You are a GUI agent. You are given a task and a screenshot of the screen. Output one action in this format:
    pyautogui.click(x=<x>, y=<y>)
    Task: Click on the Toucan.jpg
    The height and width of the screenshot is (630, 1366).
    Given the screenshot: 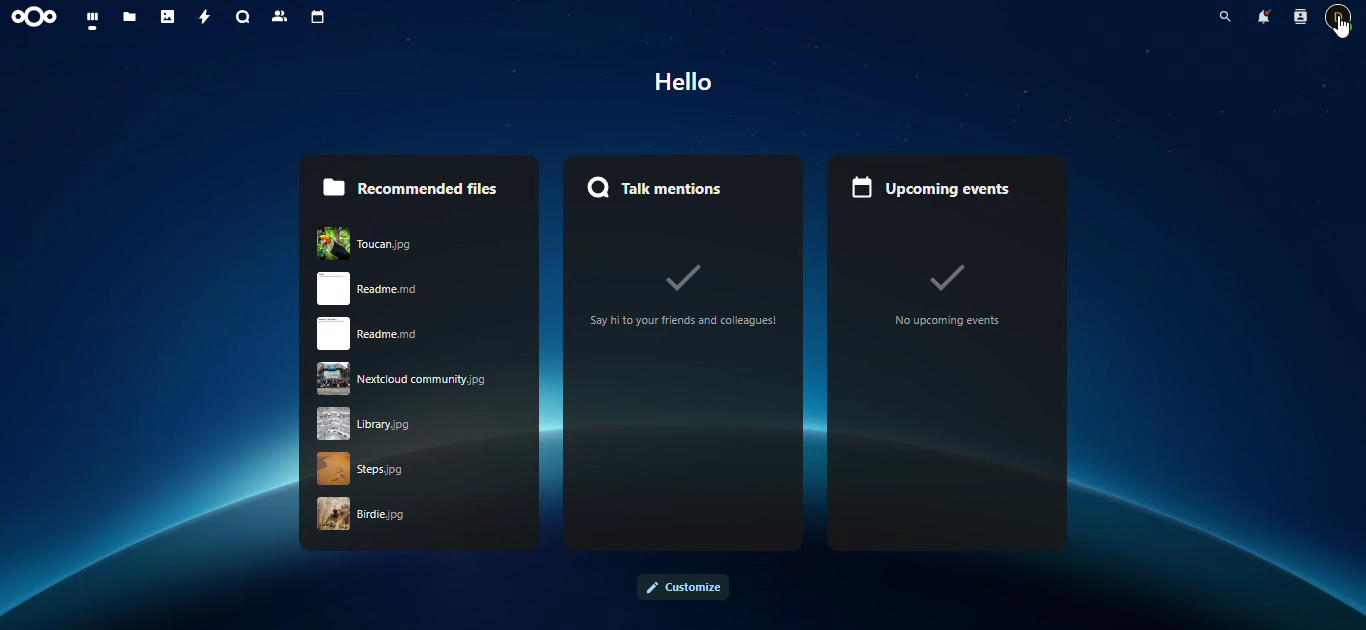 What is the action you would take?
    pyautogui.click(x=408, y=240)
    